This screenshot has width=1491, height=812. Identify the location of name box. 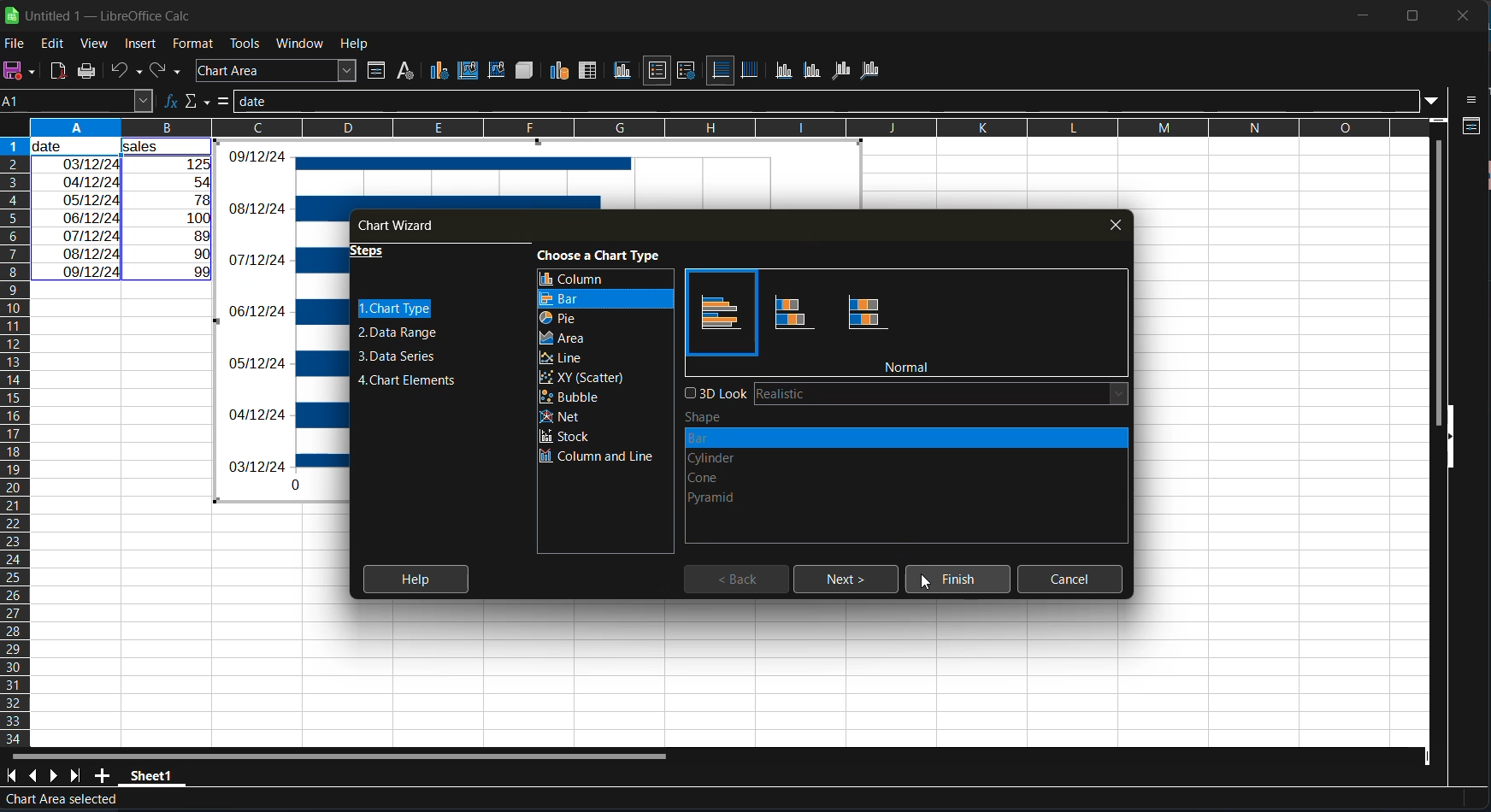
(76, 99).